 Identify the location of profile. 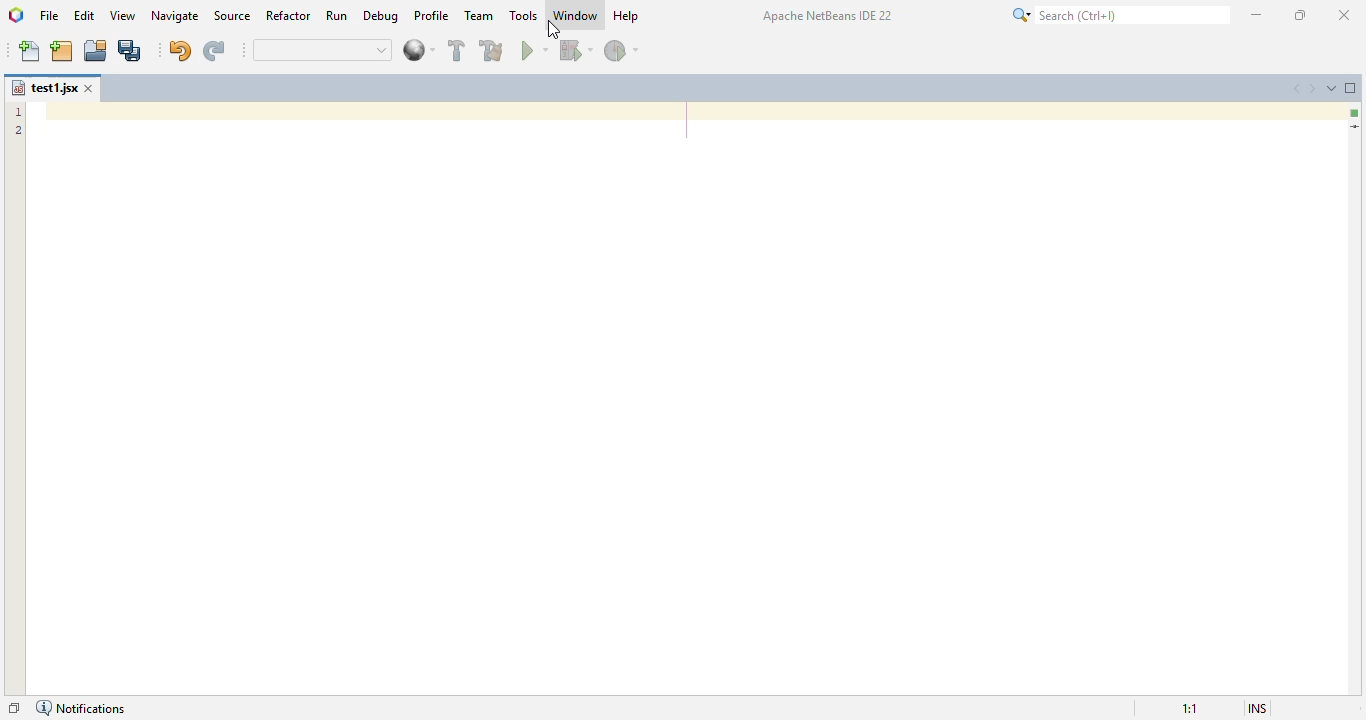
(433, 16).